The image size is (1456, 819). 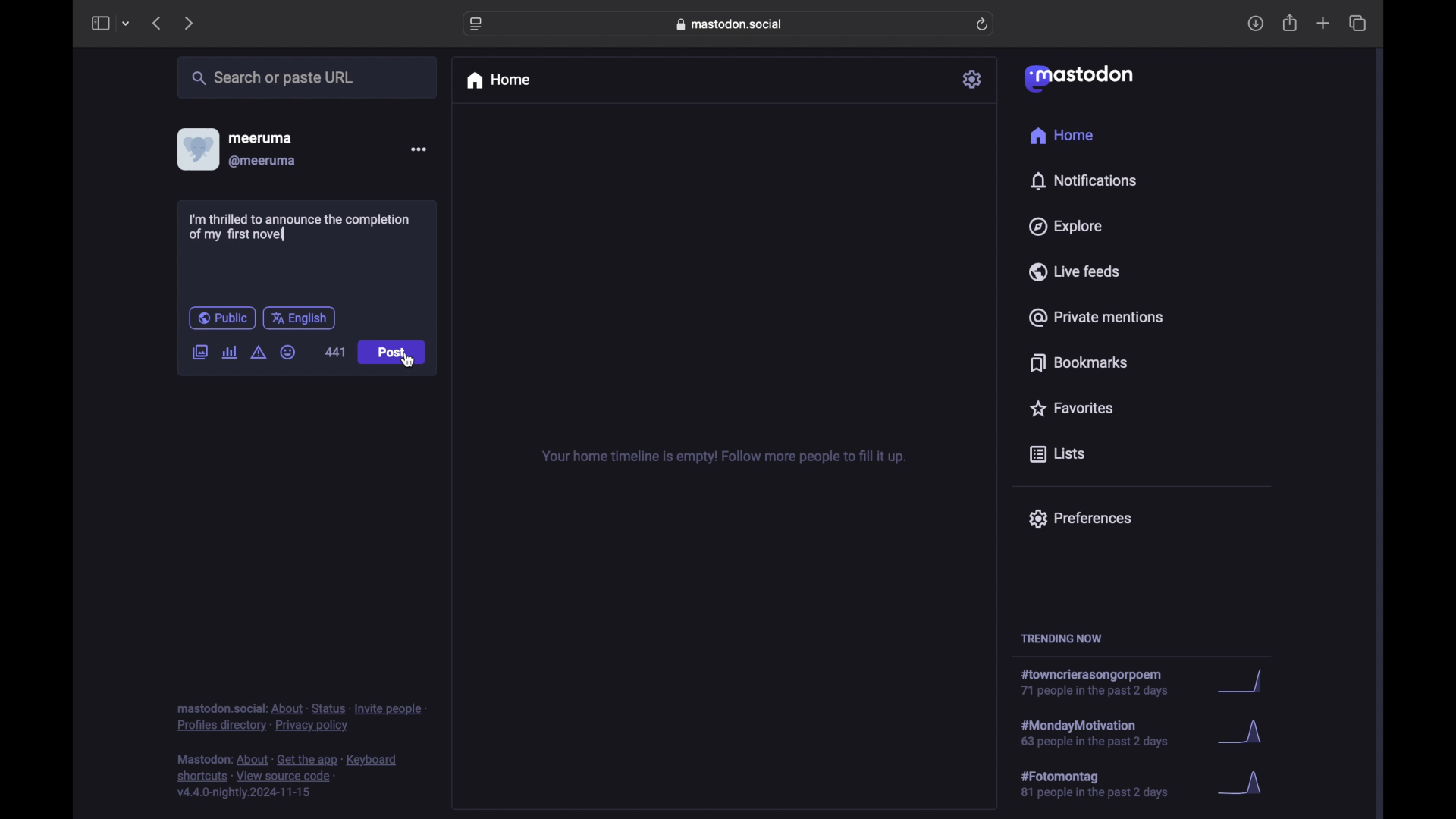 I want to click on previous, so click(x=156, y=23).